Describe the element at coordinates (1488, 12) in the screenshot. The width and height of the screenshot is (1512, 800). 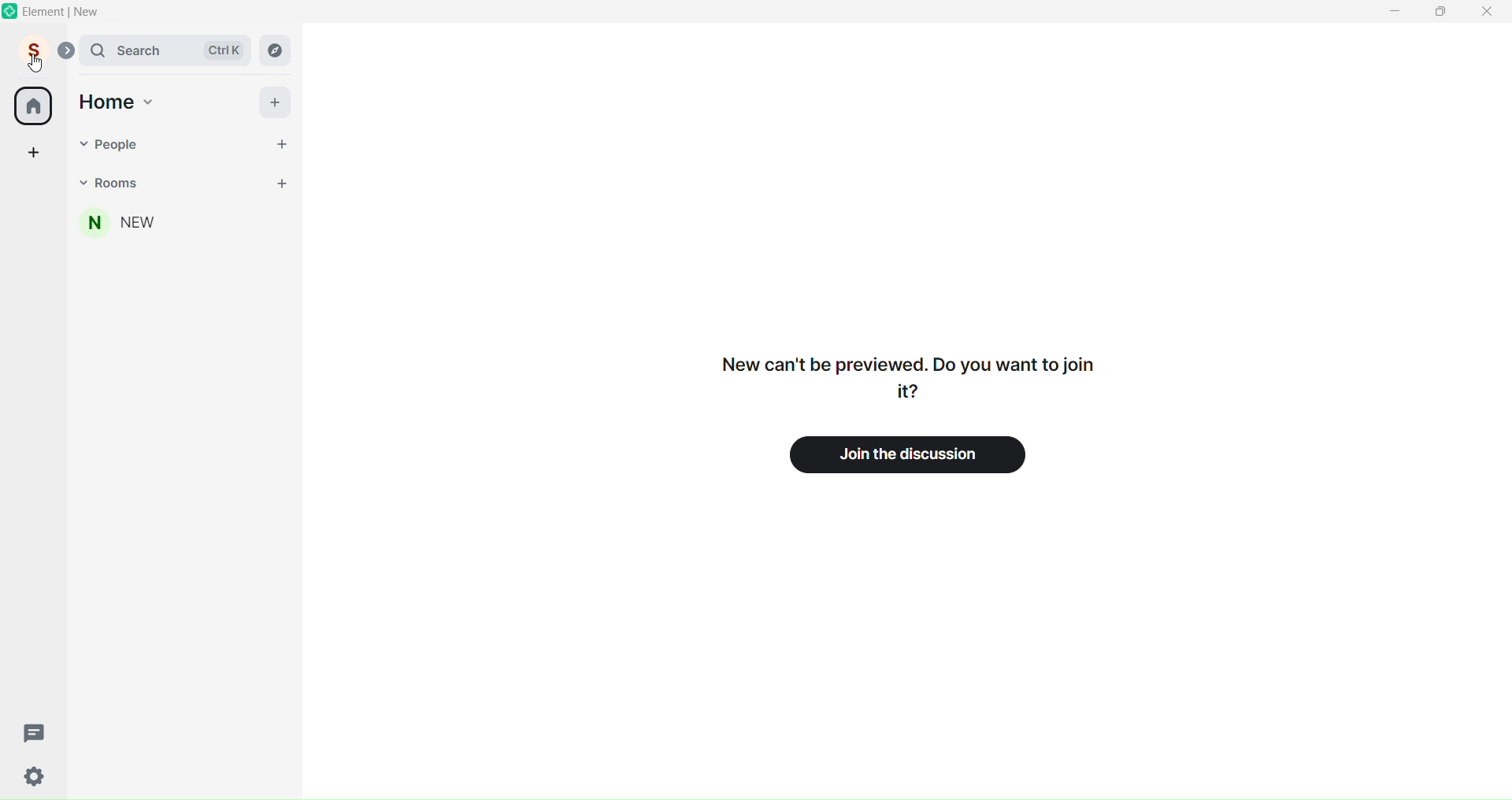
I see `Close` at that location.